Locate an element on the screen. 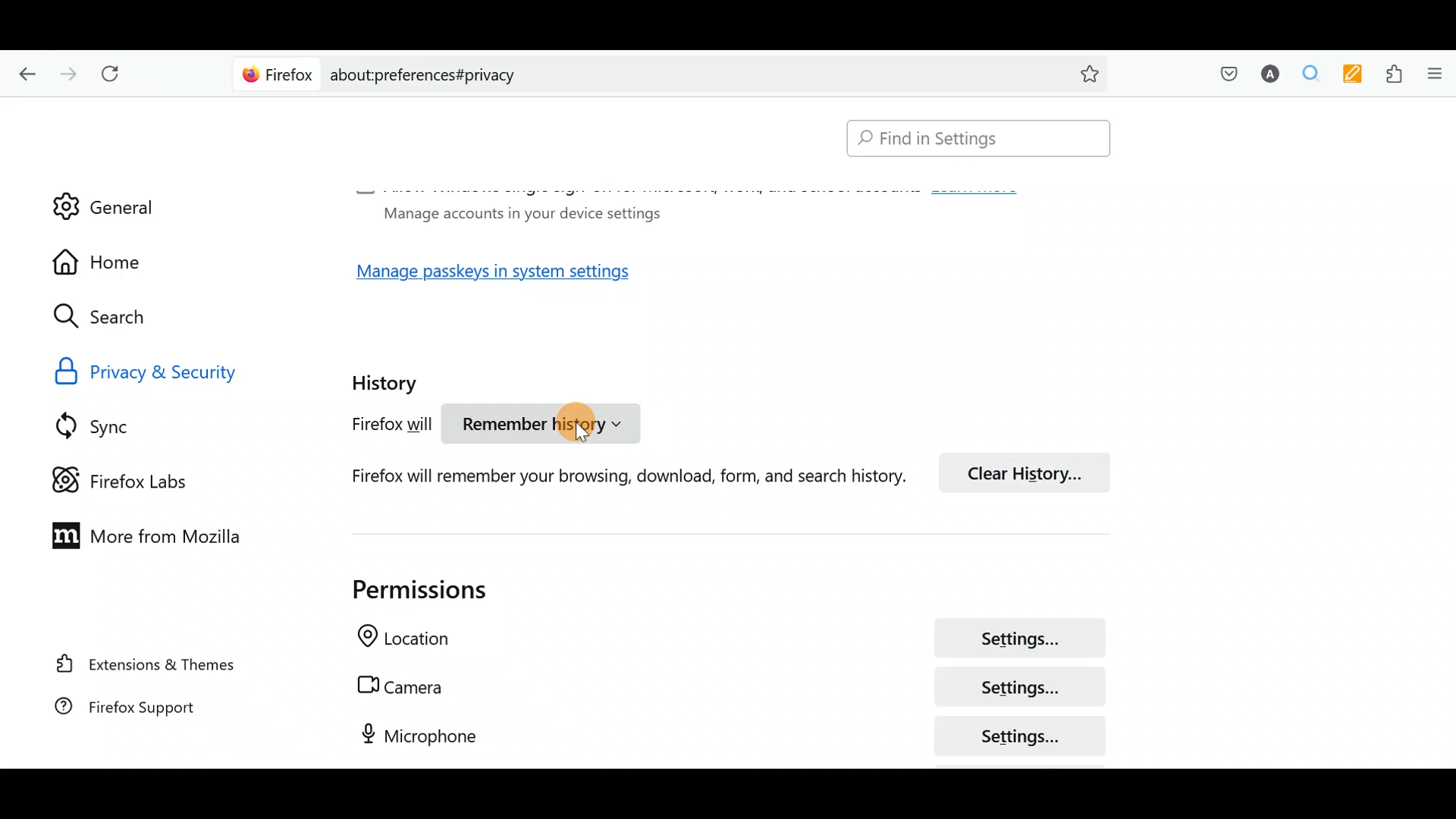 The image size is (1456, 819). General is located at coordinates (104, 196).